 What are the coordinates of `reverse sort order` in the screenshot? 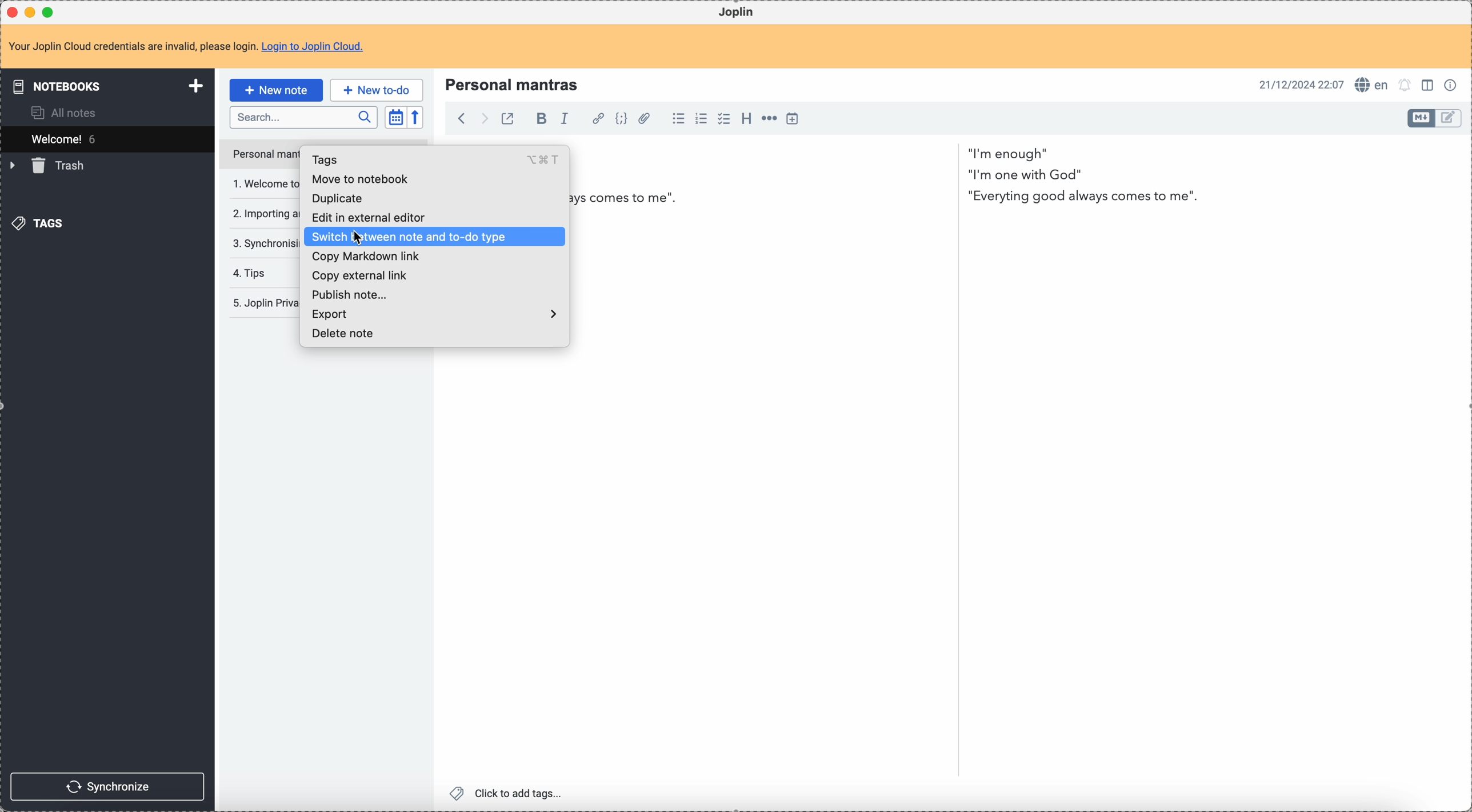 It's located at (415, 118).